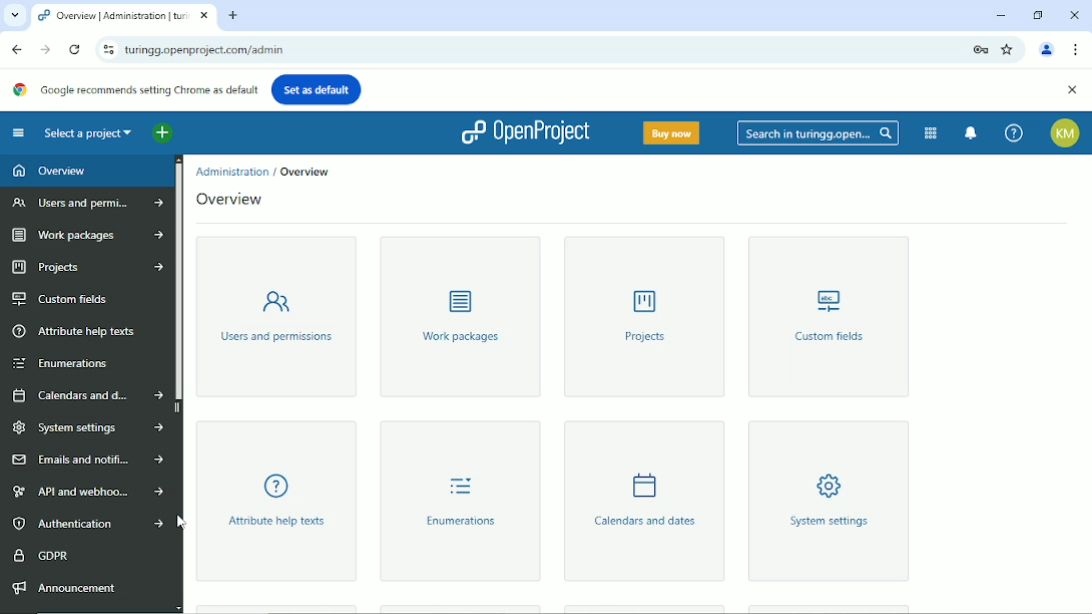 This screenshot has height=614, width=1092. What do you see at coordinates (84, 492) in the screenshot?
I see `API and webhooks` at bounding box center [84, 492].